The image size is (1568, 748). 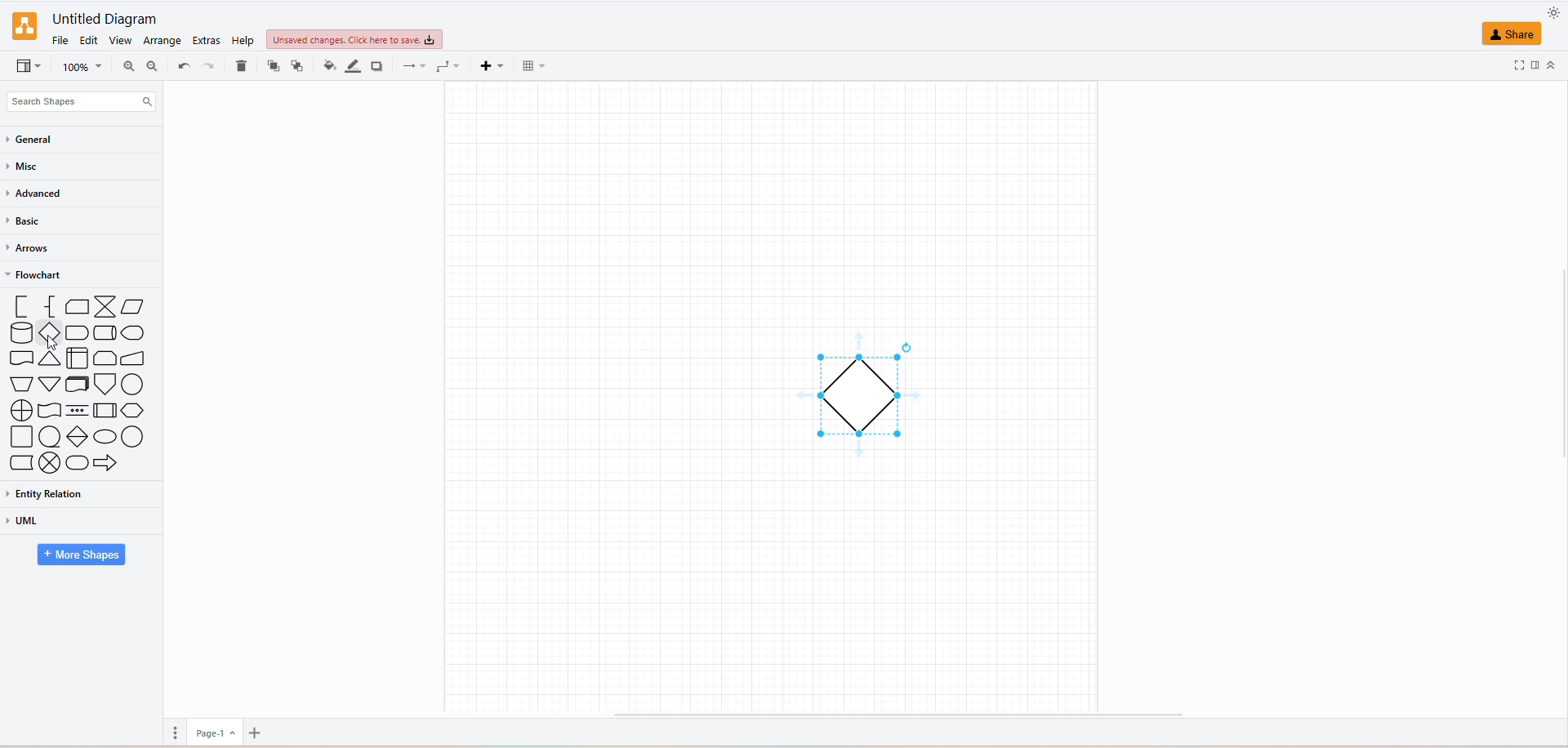 I want to click on MISC, so click(x=26, y=166).